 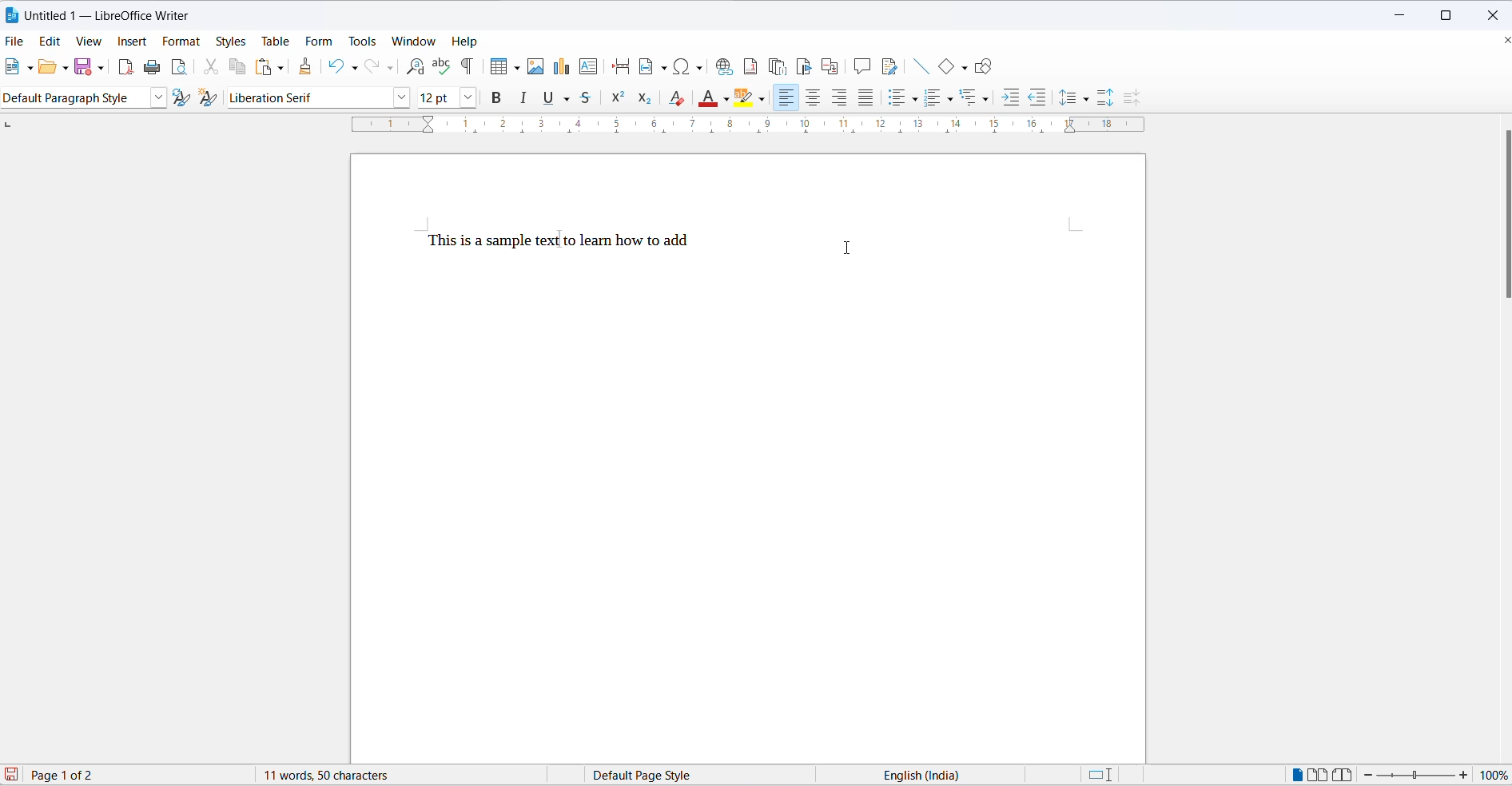 What do you see at coordinates (831, 65) in the screenshot?
I see `insert cross reference` at bounding box center [831, 65].